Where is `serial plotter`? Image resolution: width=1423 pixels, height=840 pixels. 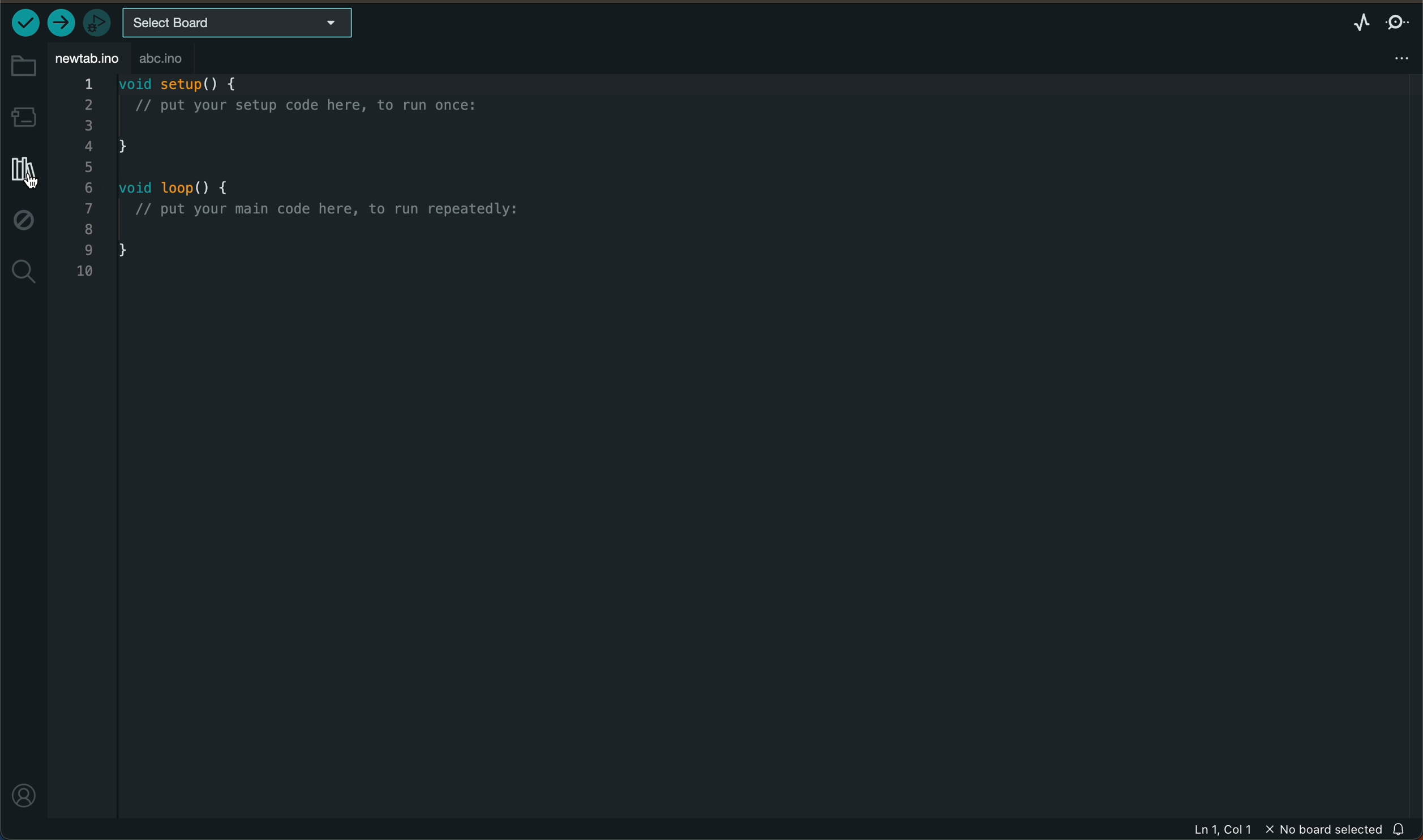
serial plotter is located at coordinates (1362, 22).